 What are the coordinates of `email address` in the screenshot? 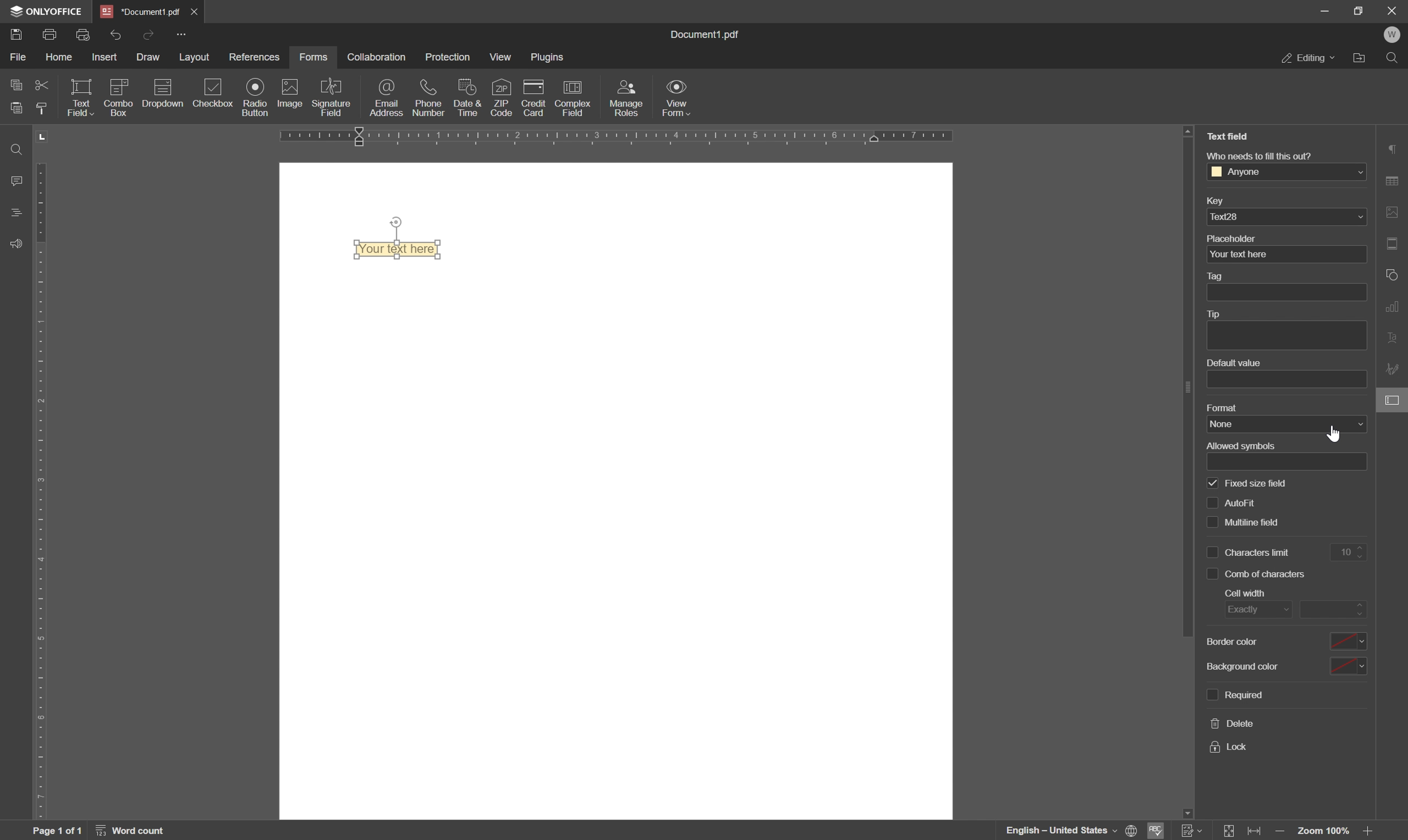 It's located at (384, 98).